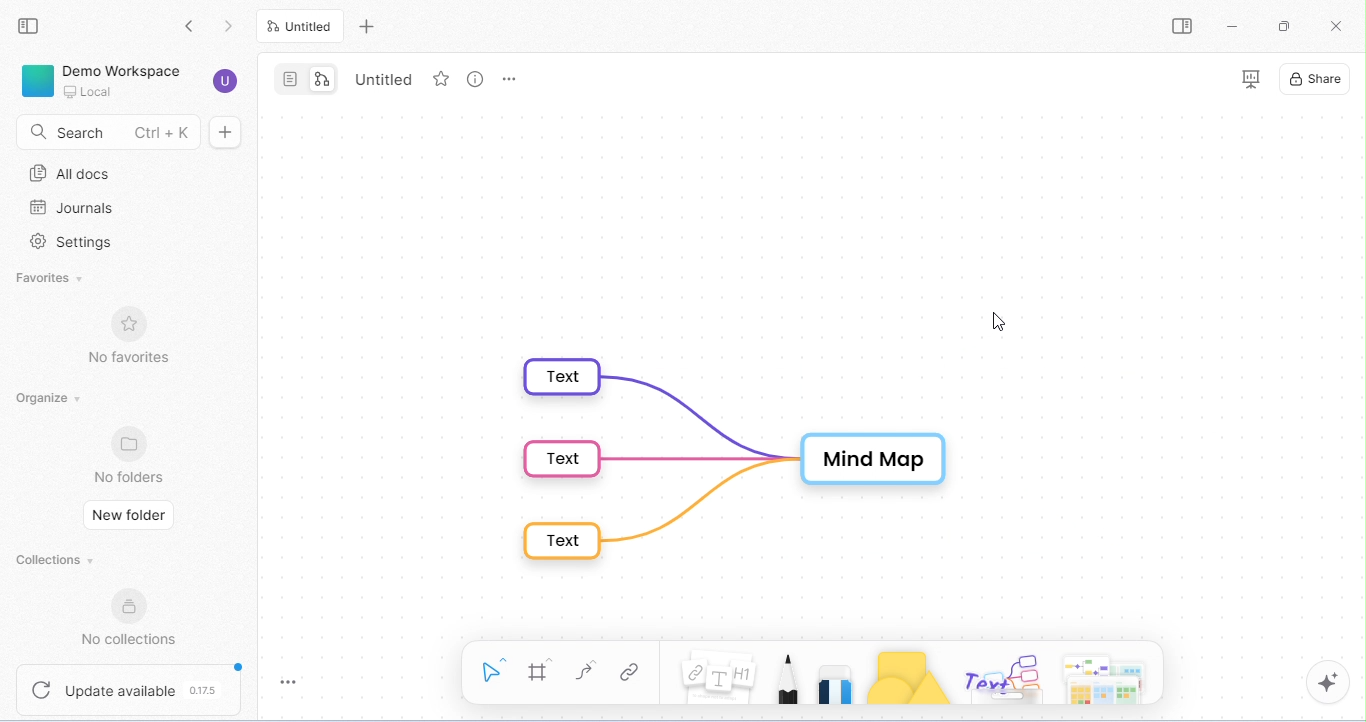 The height and width of the screenshot is (722, 1366). I want to click on pencil, so click(789, 677).